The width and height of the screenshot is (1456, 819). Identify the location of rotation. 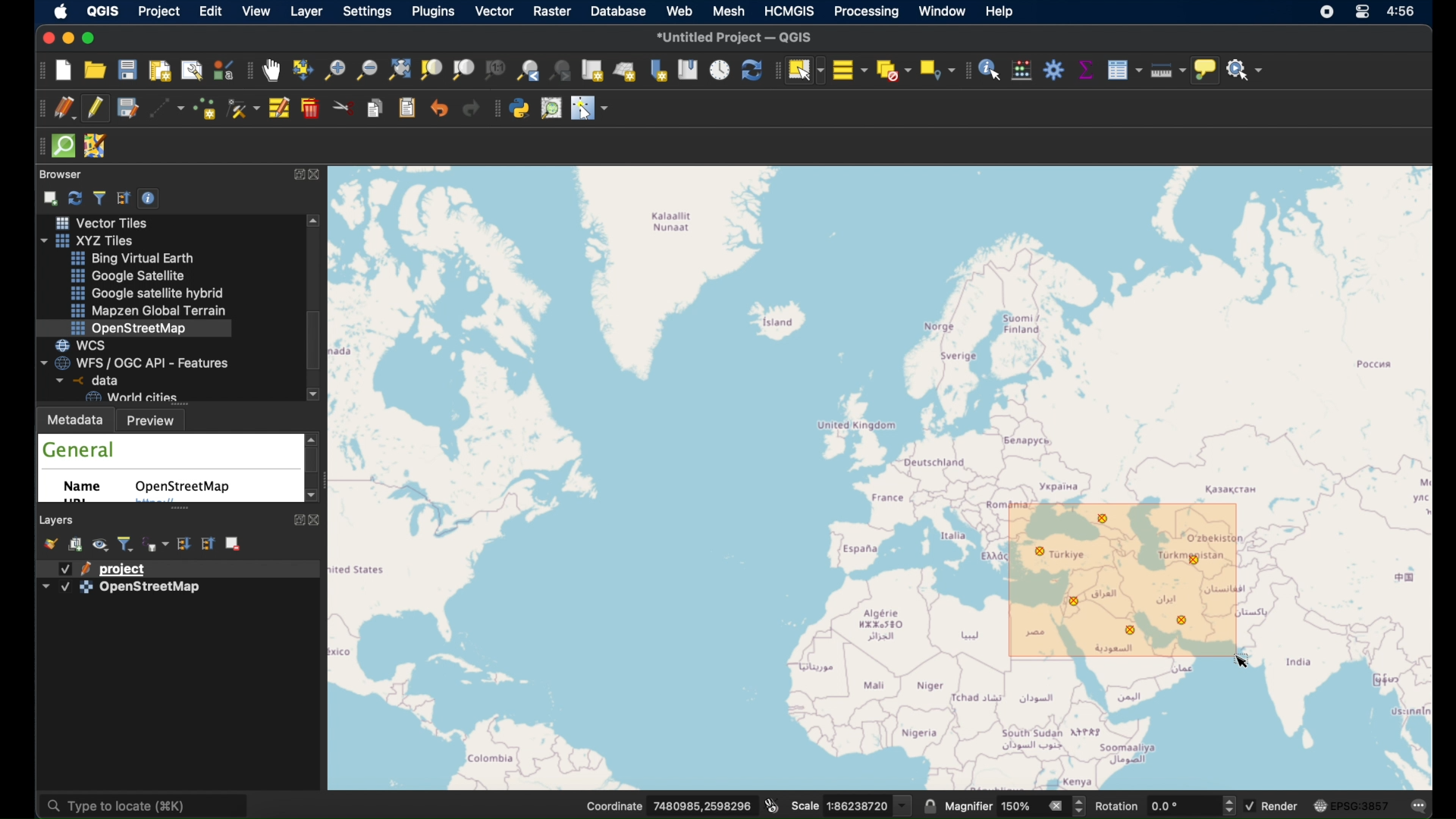
(1119, 806).